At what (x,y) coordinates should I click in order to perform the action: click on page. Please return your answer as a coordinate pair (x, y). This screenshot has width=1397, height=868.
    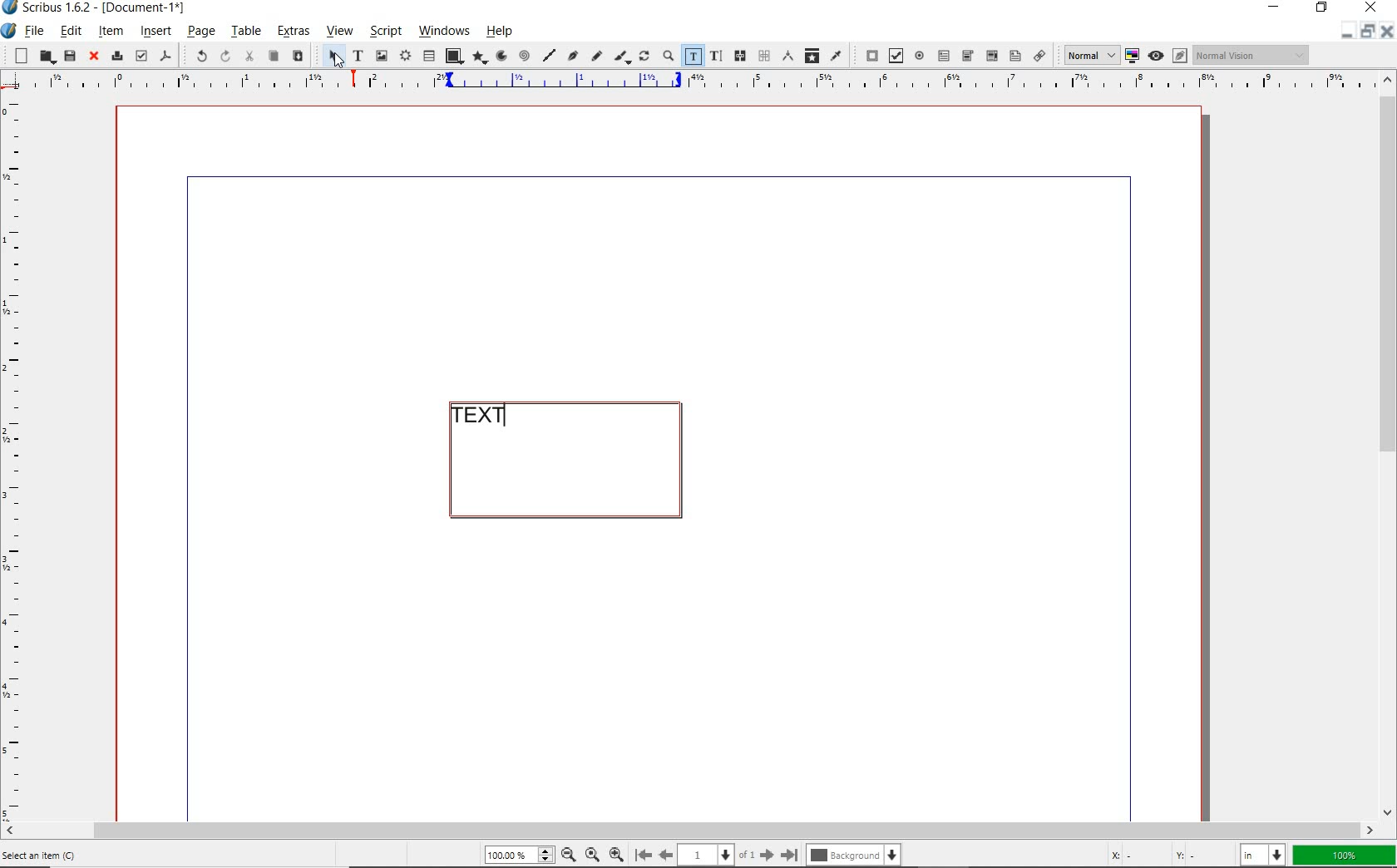
    Looking at the image, I should click on (200, 33).